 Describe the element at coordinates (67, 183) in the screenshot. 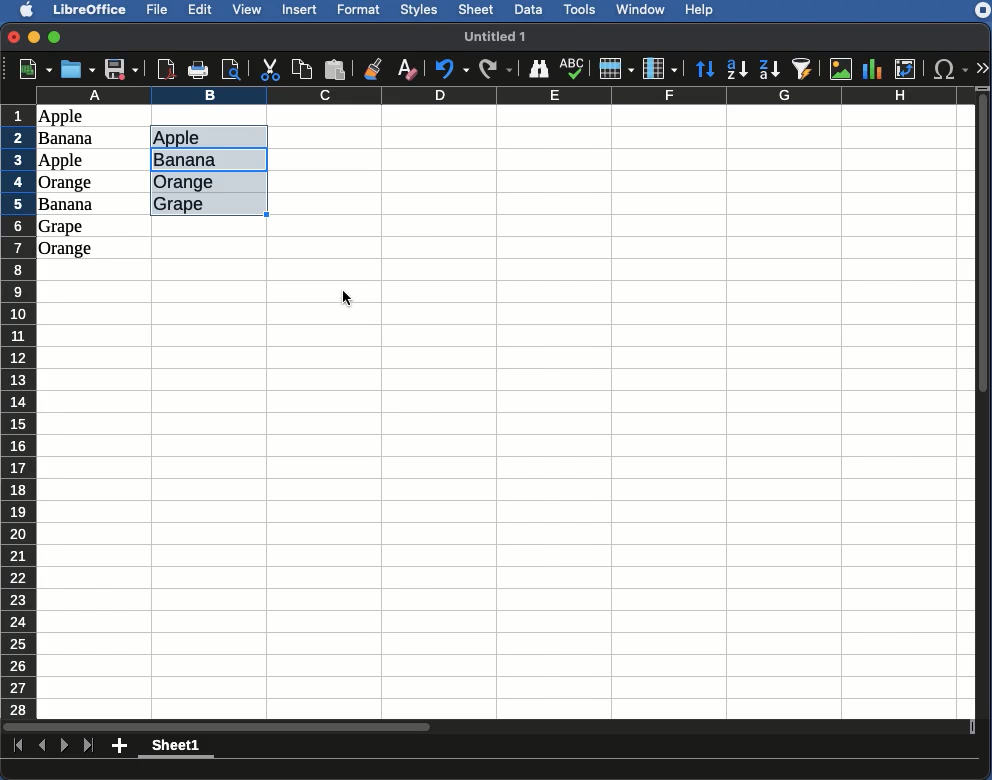

I see `Orange` at that location.